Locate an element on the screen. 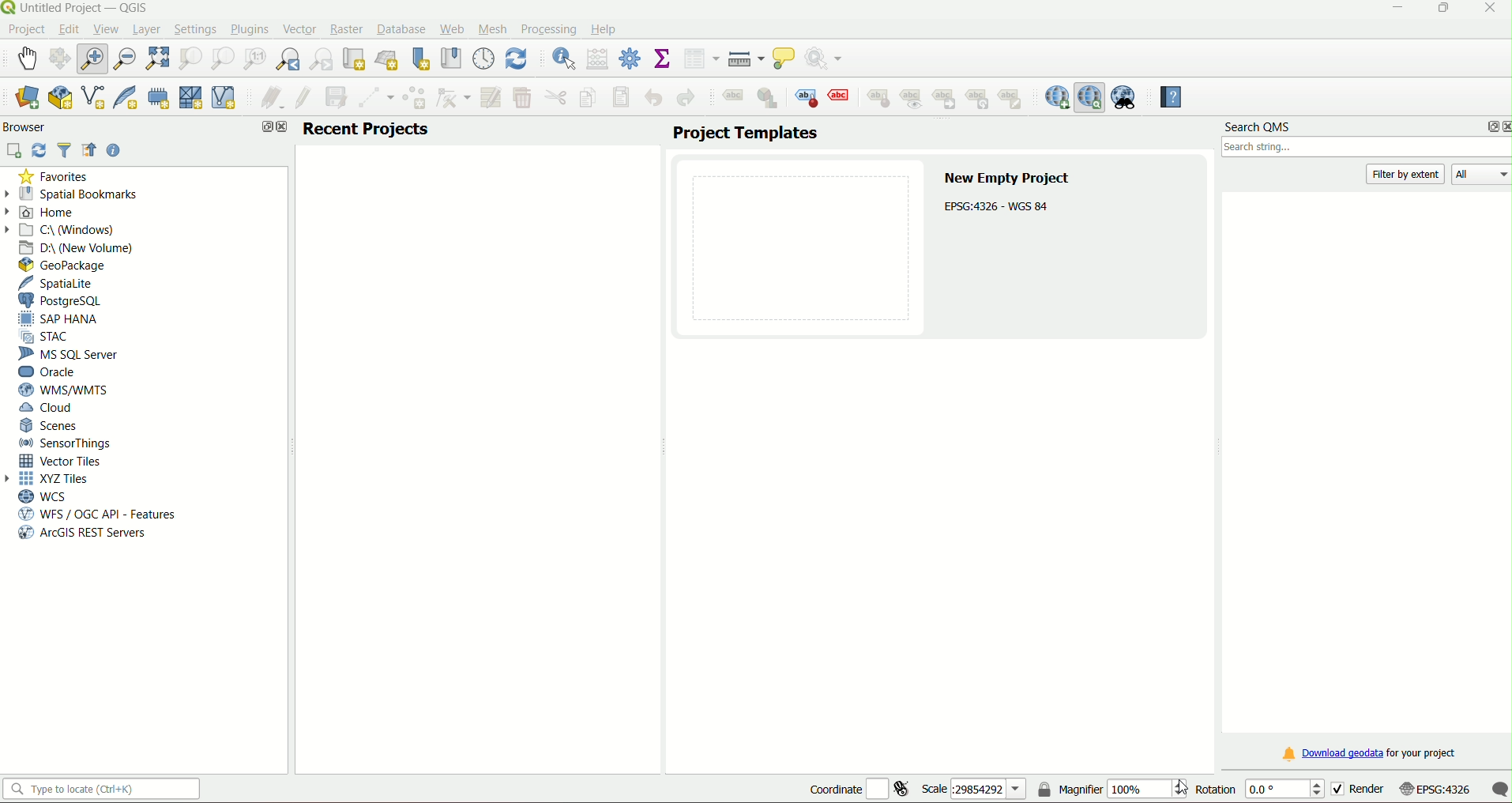  zoom to layer is located at coordinates (220, 58).